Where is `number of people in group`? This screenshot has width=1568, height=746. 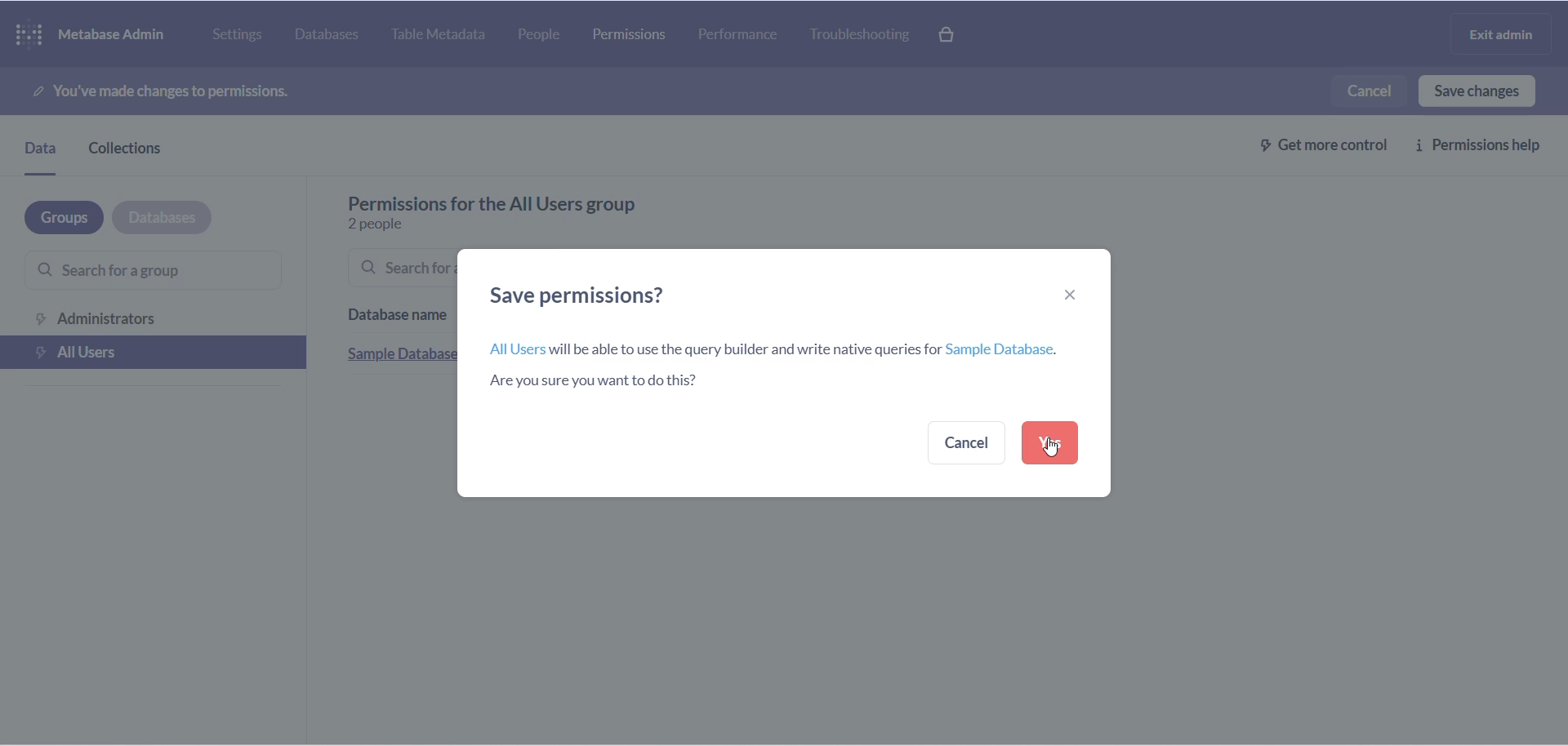 number of people in group is located at coordinates (393, 222).